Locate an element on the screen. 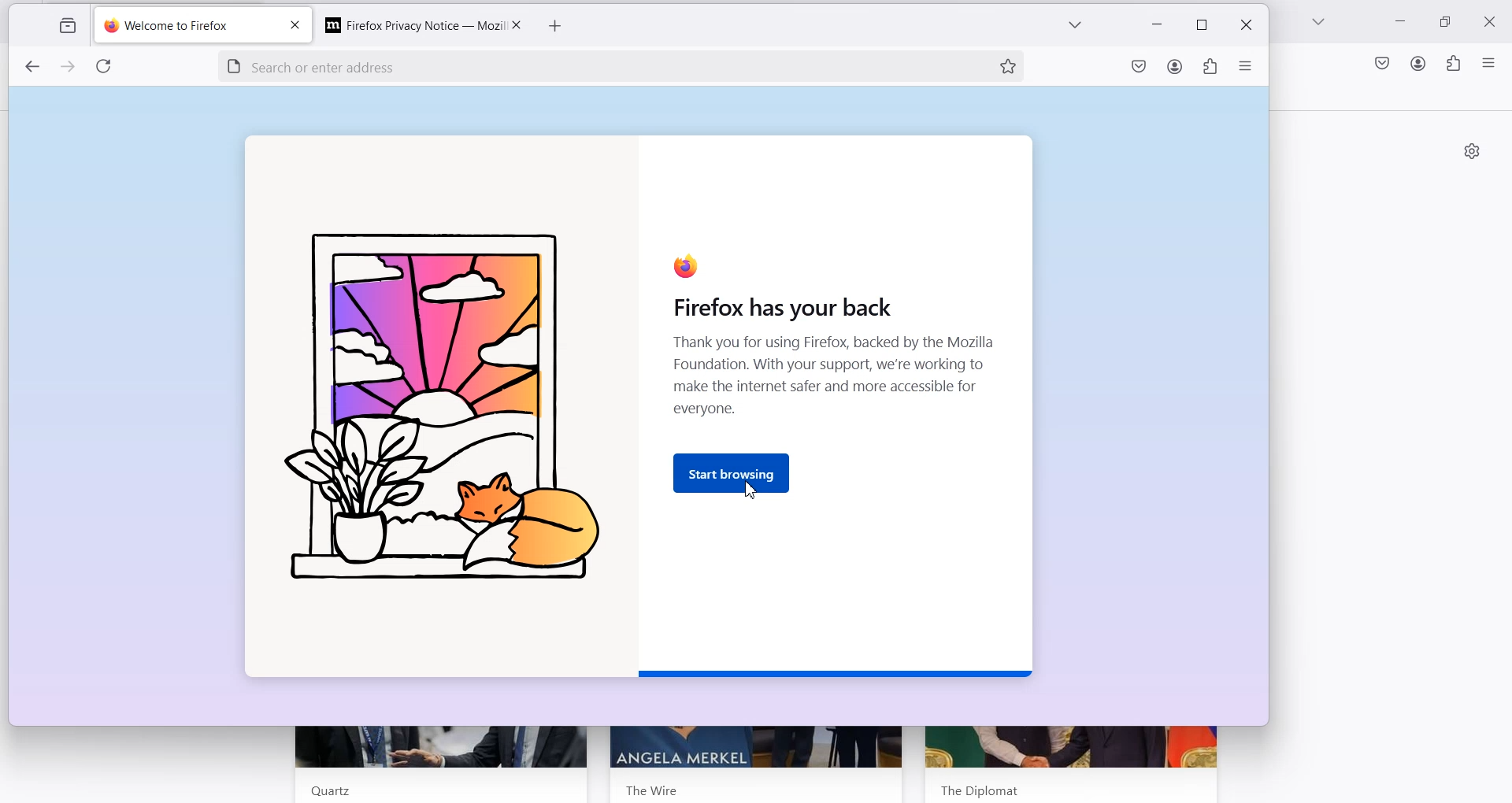  refresh page is located at coordinates (107, 68).